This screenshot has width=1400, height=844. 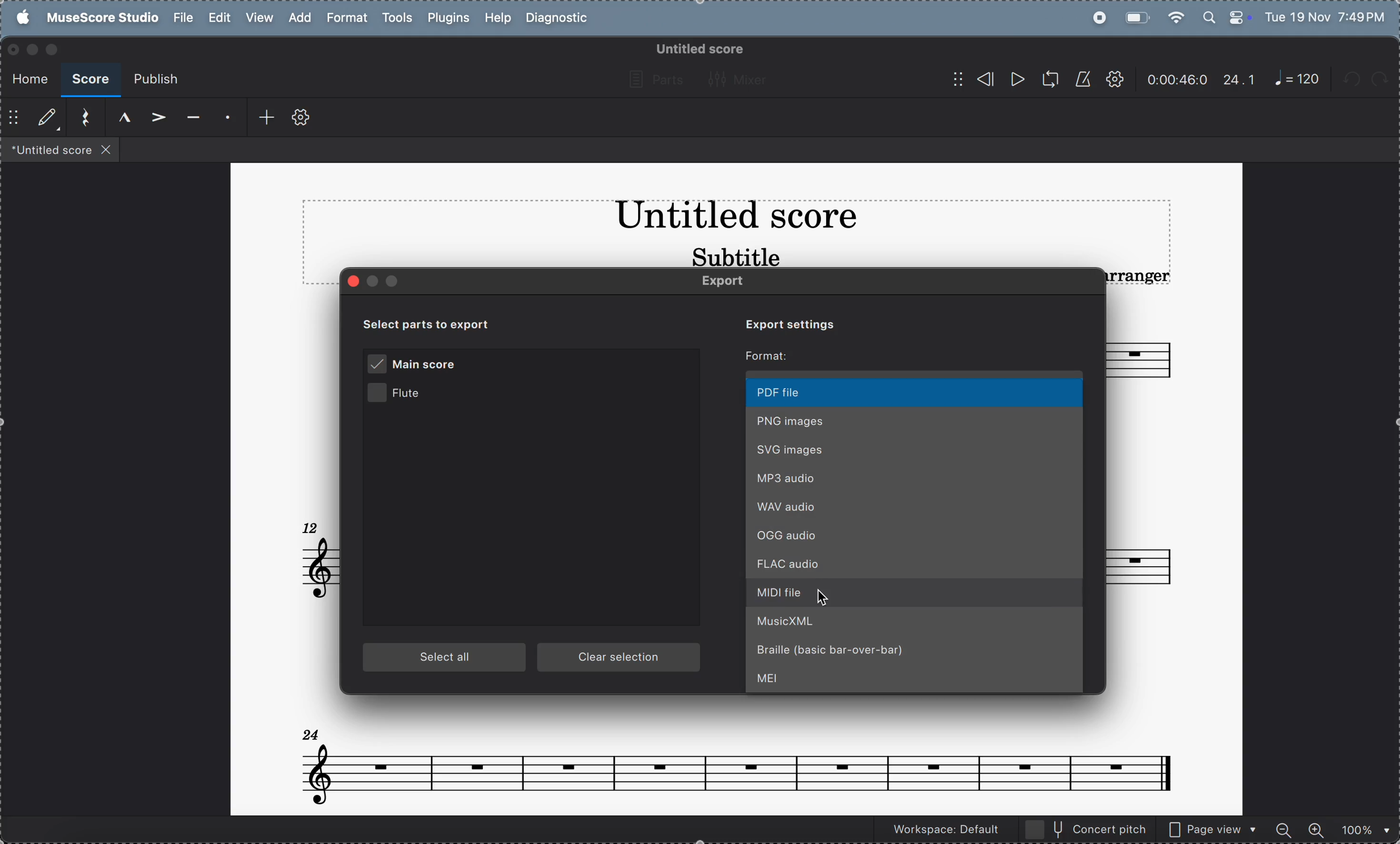 I want to click on clear section, so click(x=620, y=658).